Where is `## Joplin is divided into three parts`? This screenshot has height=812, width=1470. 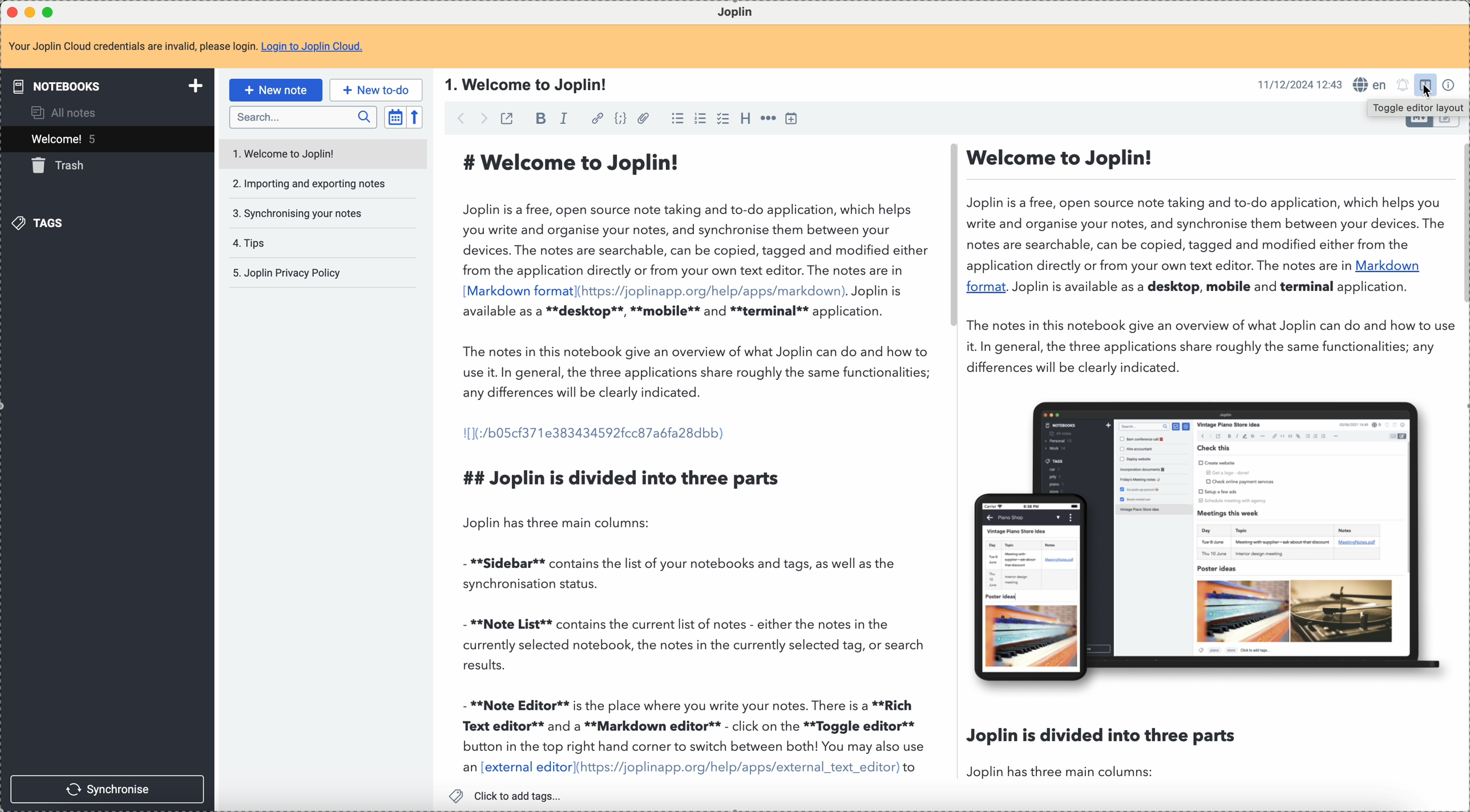 ## Joplin is divided into three parts is located at coordinates (624, 478).